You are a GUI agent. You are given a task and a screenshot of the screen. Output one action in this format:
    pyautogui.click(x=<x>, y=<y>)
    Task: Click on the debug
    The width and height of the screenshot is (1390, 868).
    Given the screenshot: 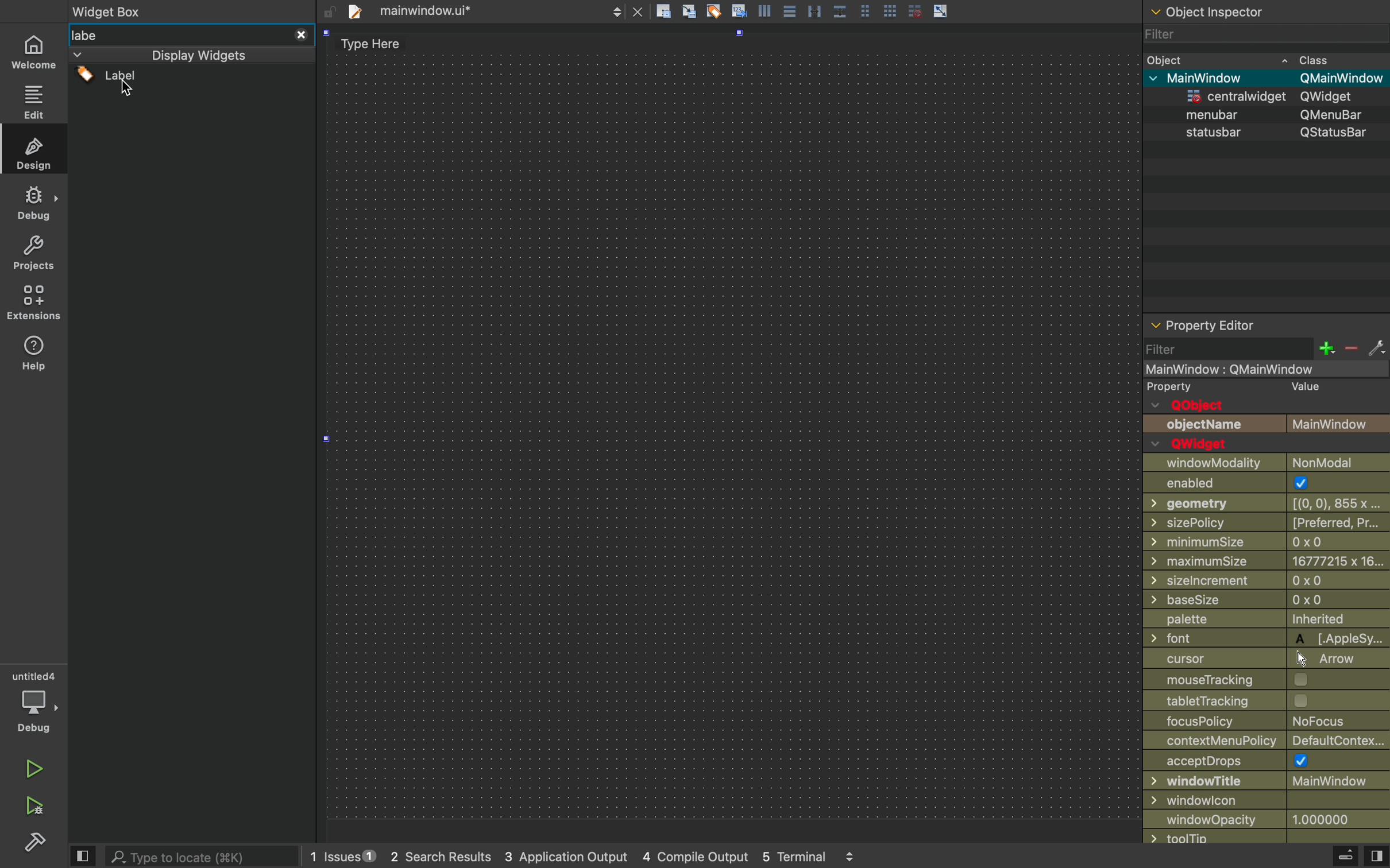 What is the action you would take?
    pyautogui.click(x=34, y=702)
    